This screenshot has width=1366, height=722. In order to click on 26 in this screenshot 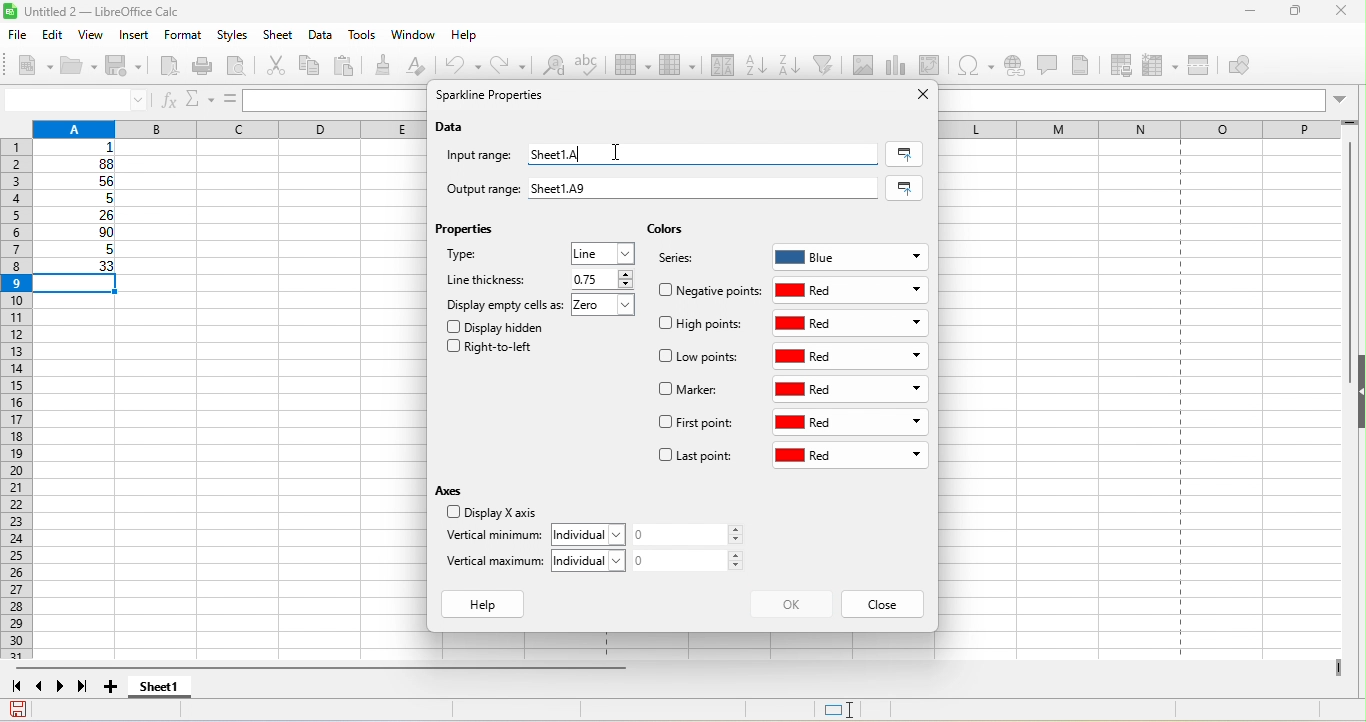, I will do `click(79, 216)`.